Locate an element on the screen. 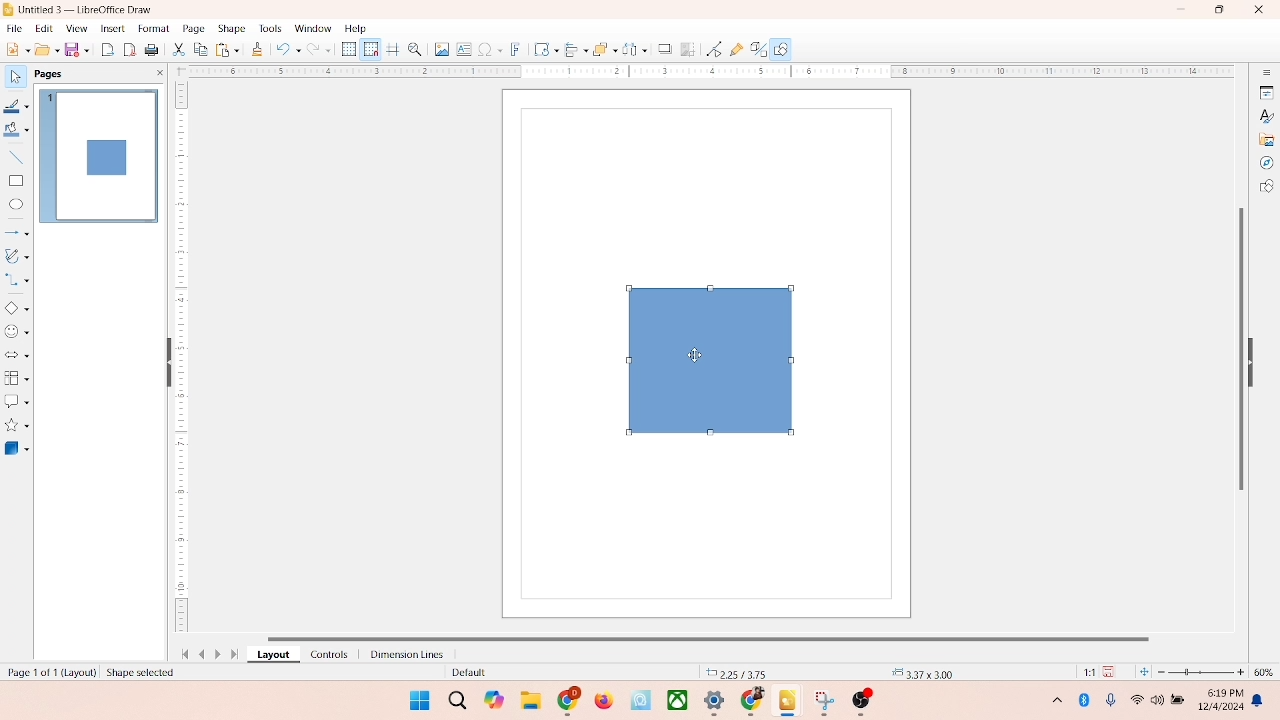 This screenshot has height=720, width=1280. cursor is located at coordinates (696, 354).